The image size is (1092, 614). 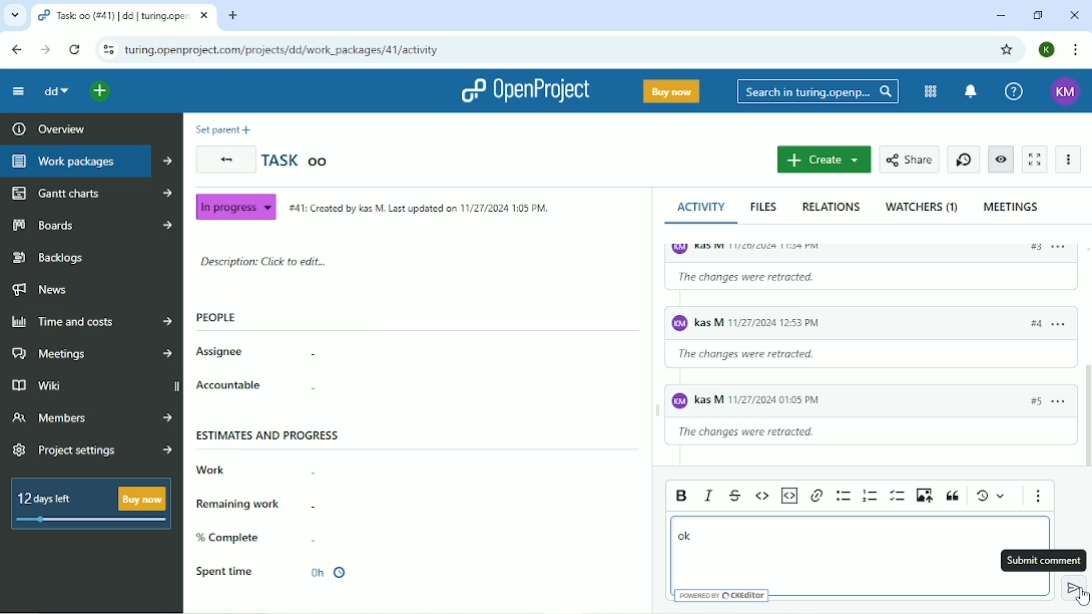 What do you see at coordinates (1085, 419) in the screenshot?
I see `Vertical scrollbar` at bounding box center [1085, 419].